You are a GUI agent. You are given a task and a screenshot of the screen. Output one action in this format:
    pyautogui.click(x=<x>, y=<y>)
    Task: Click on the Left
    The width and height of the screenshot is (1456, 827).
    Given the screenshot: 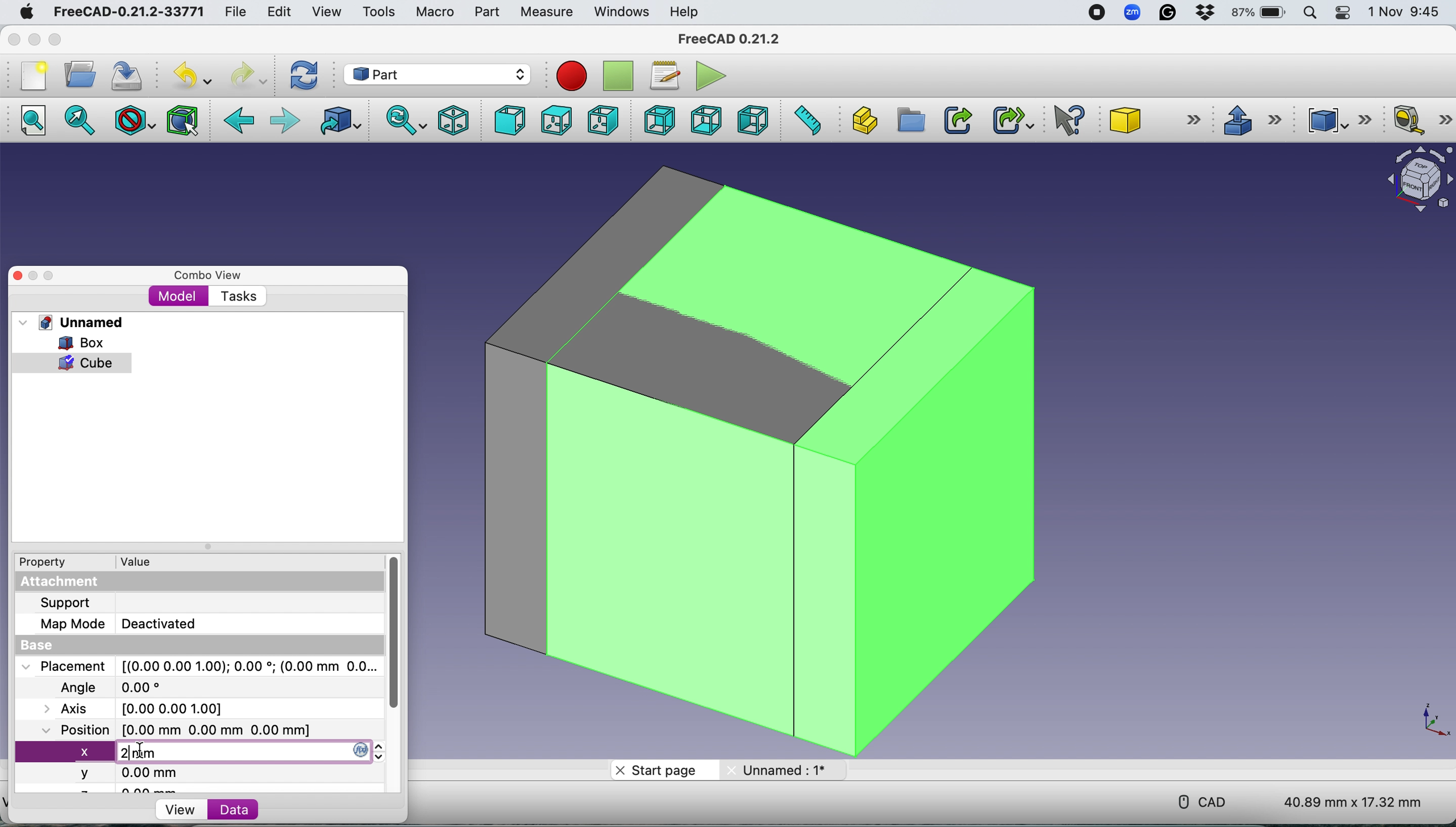 What is the action you would take?
    pyautogui.click(x=752, y=120)
    